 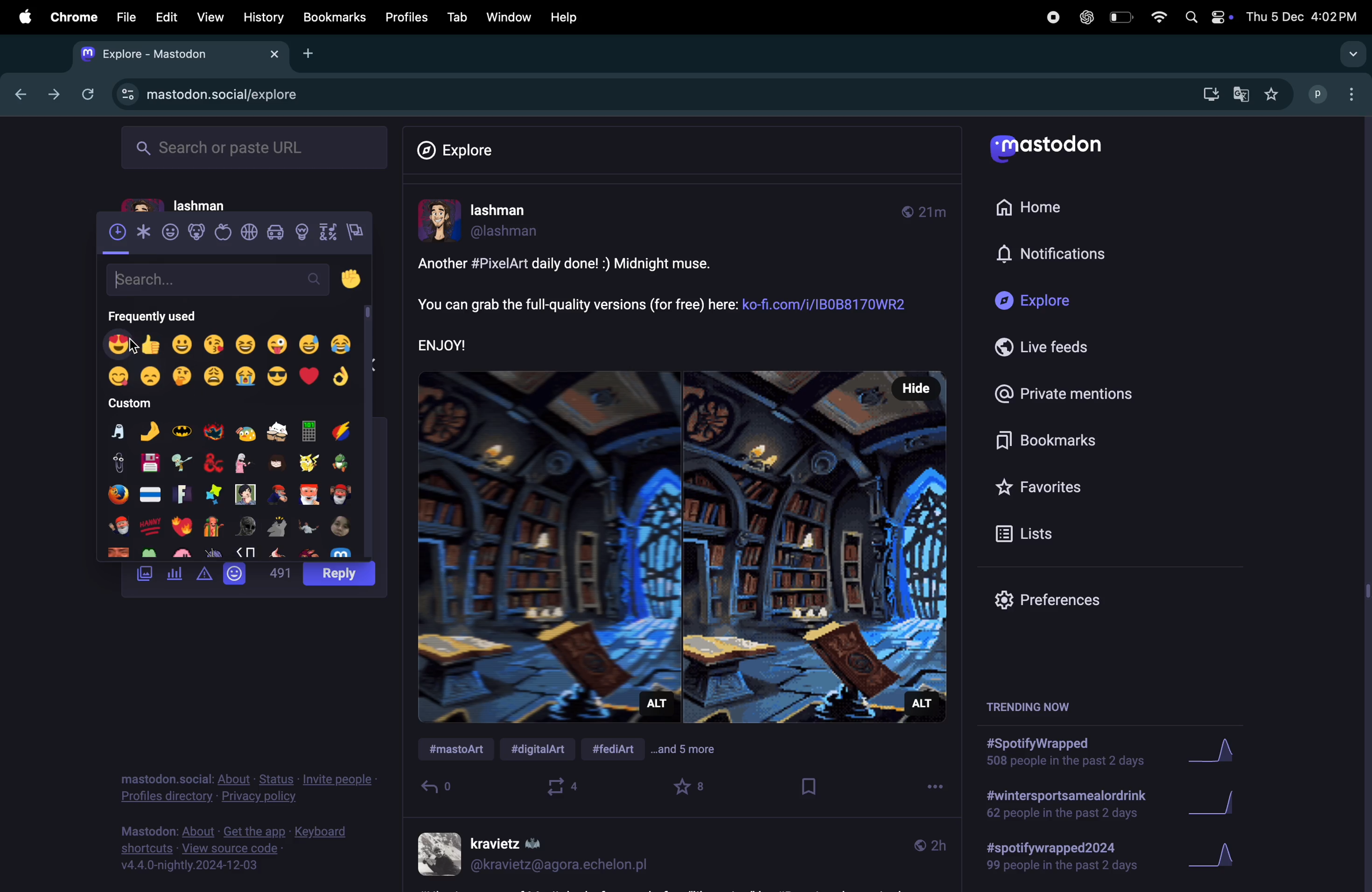 What do you see at coordinates (926, 845) in the screenshot?
I see `time line` at bounding box center [926, 845].